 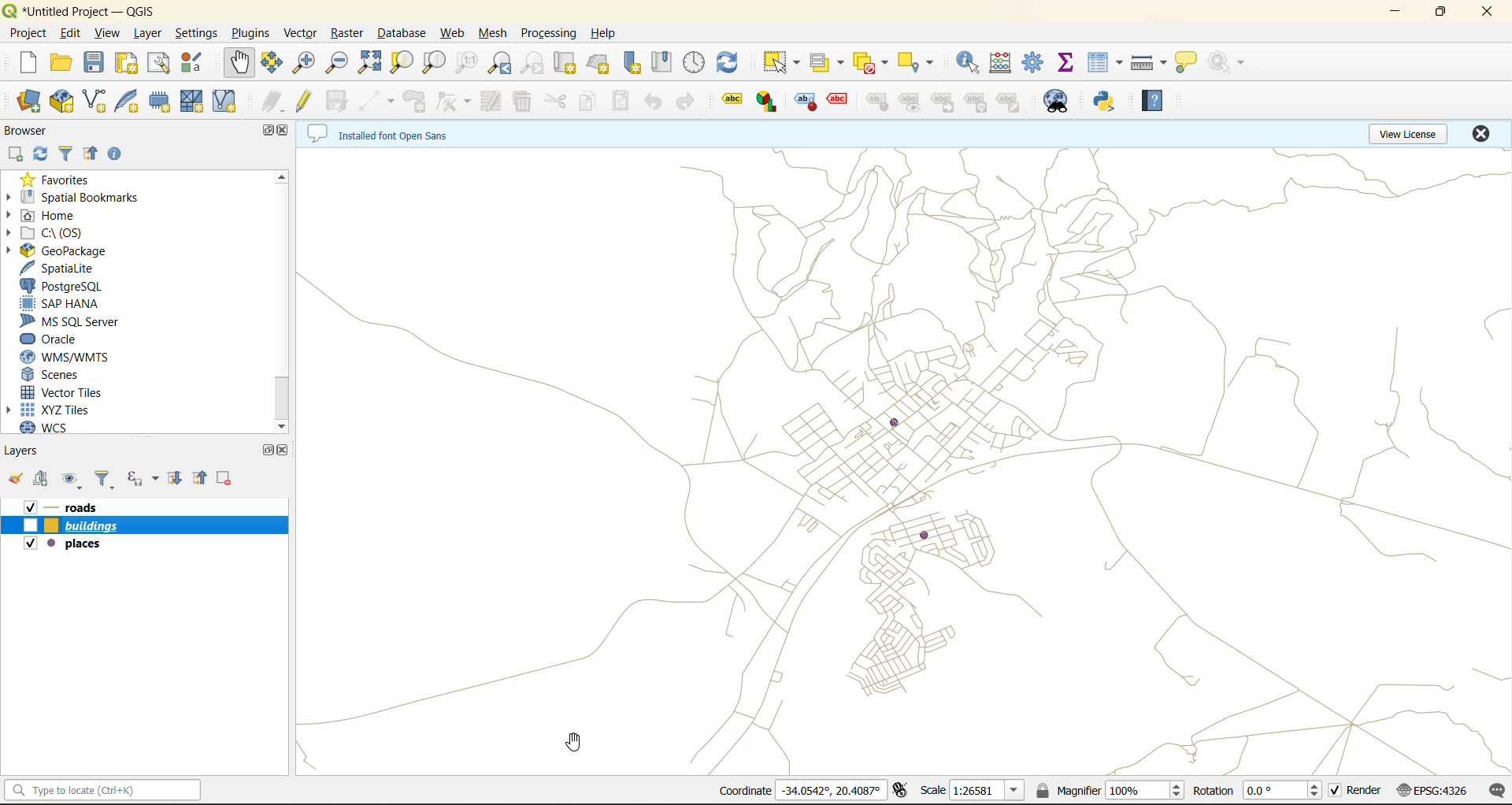 What do you see at coordinates (283, 287) in the screenshot?
I see `scroll bar` at bounding box center [283, 287].